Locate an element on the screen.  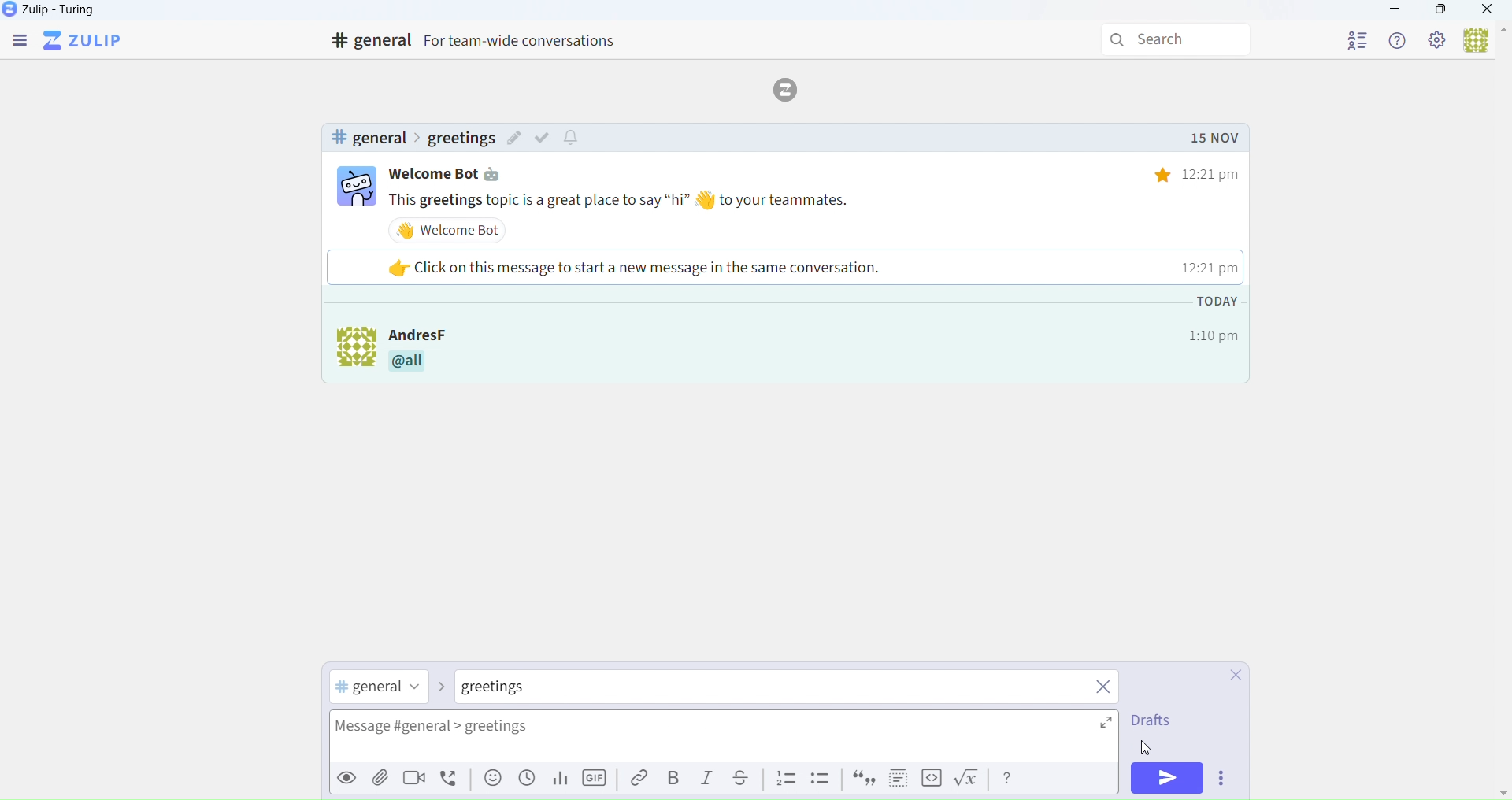
greetings is located at coordinates (460, 139).